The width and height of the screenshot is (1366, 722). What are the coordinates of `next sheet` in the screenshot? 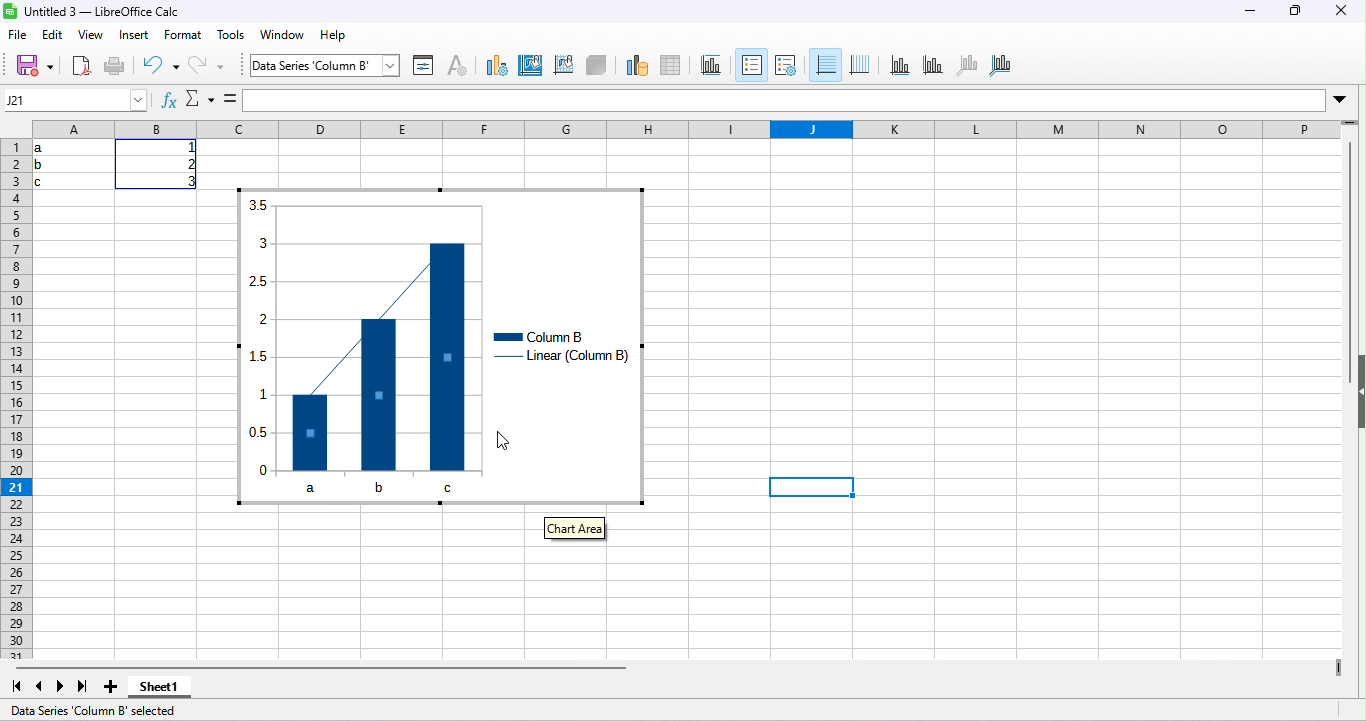 It's located at (64, 689).